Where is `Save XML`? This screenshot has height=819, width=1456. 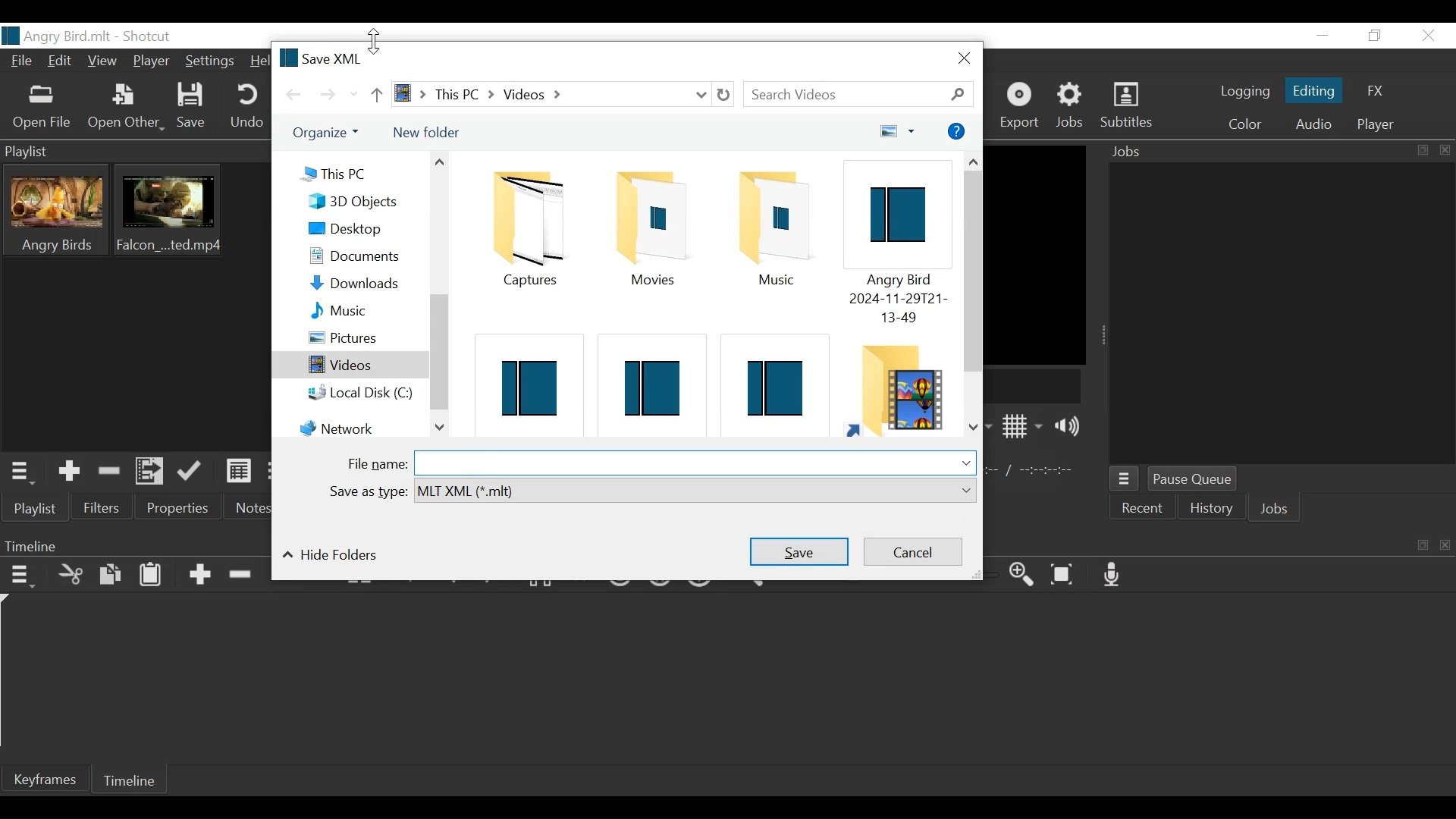 Save XML is located at coordinates (325, 56).